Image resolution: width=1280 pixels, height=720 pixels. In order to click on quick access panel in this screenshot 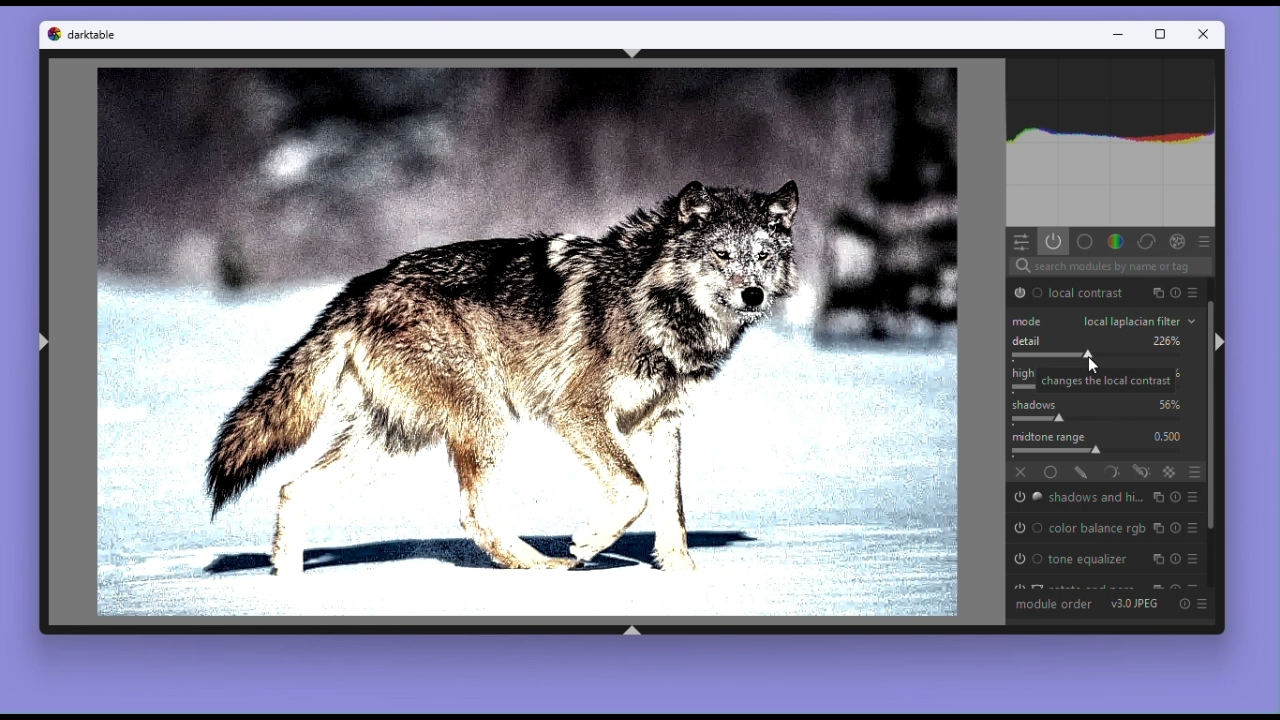, I will do `click(1024, 242)`.